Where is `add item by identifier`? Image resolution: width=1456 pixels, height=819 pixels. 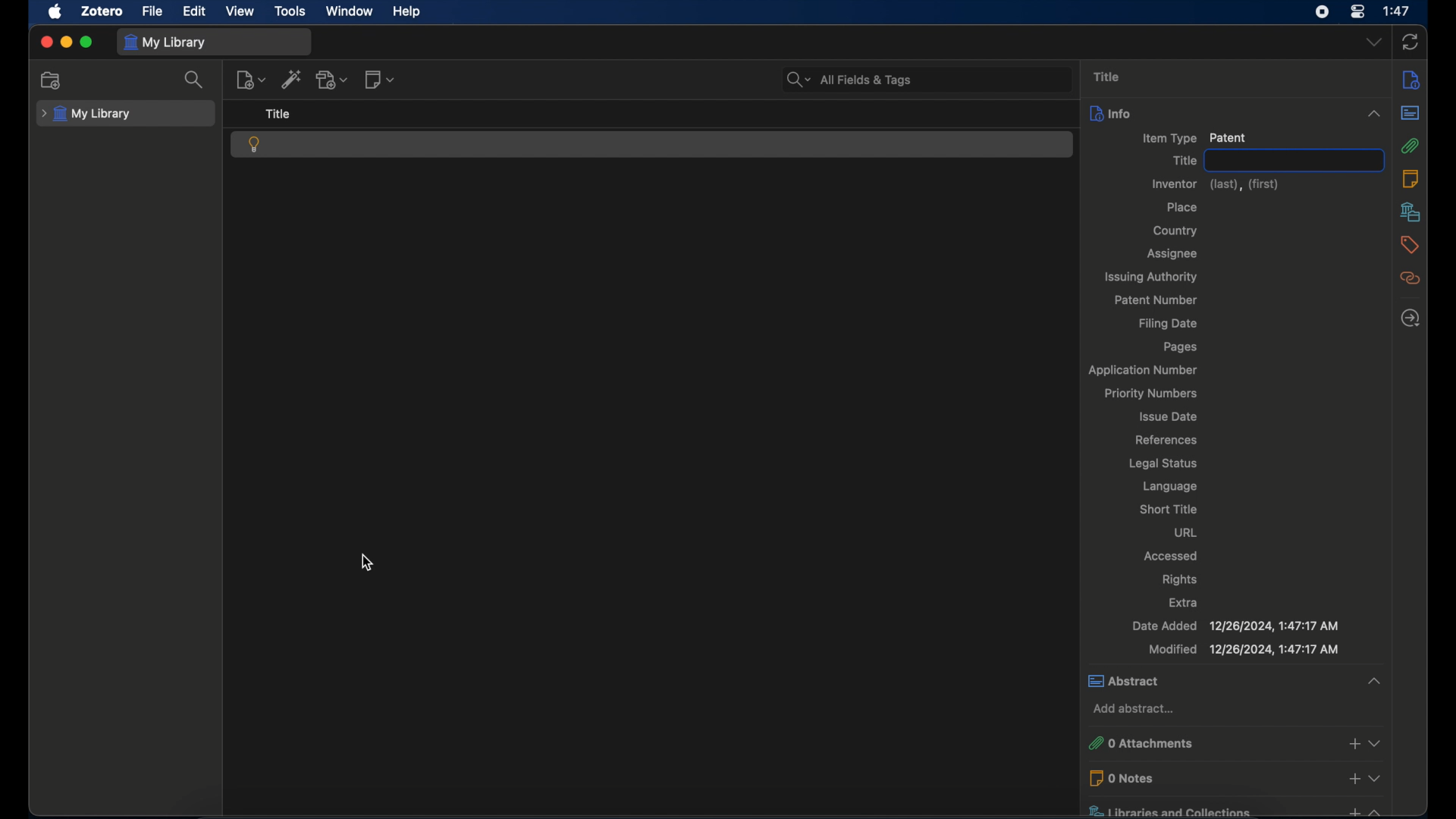 add item by identifier is located at coordinates (291, 80).